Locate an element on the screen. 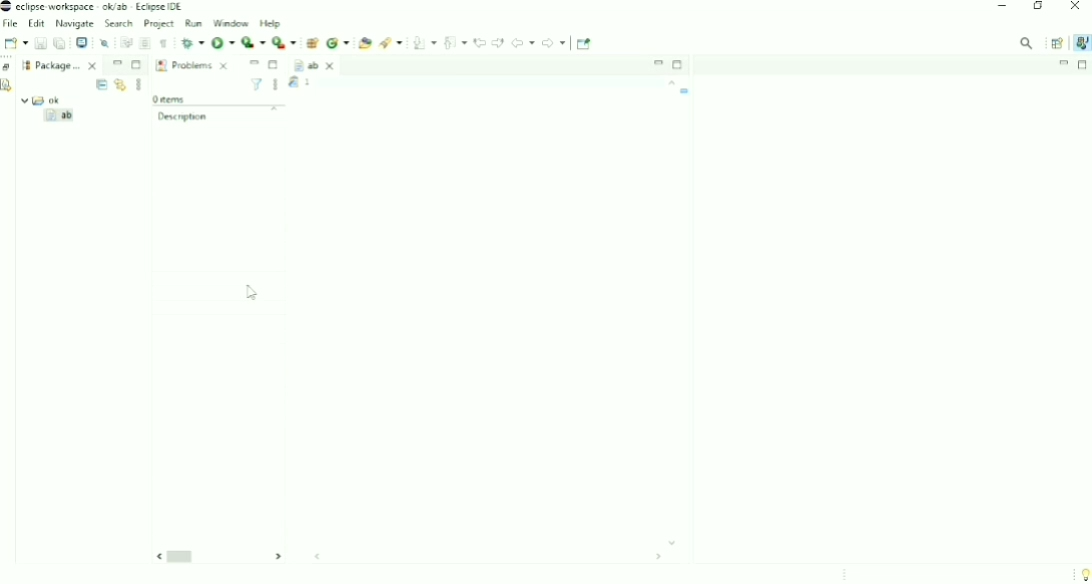 Image resolution: width=1092 pixels, height=584 pixels. eclipse workspace ok/ab Eclipse IDE is located at coordinates (94, 7).